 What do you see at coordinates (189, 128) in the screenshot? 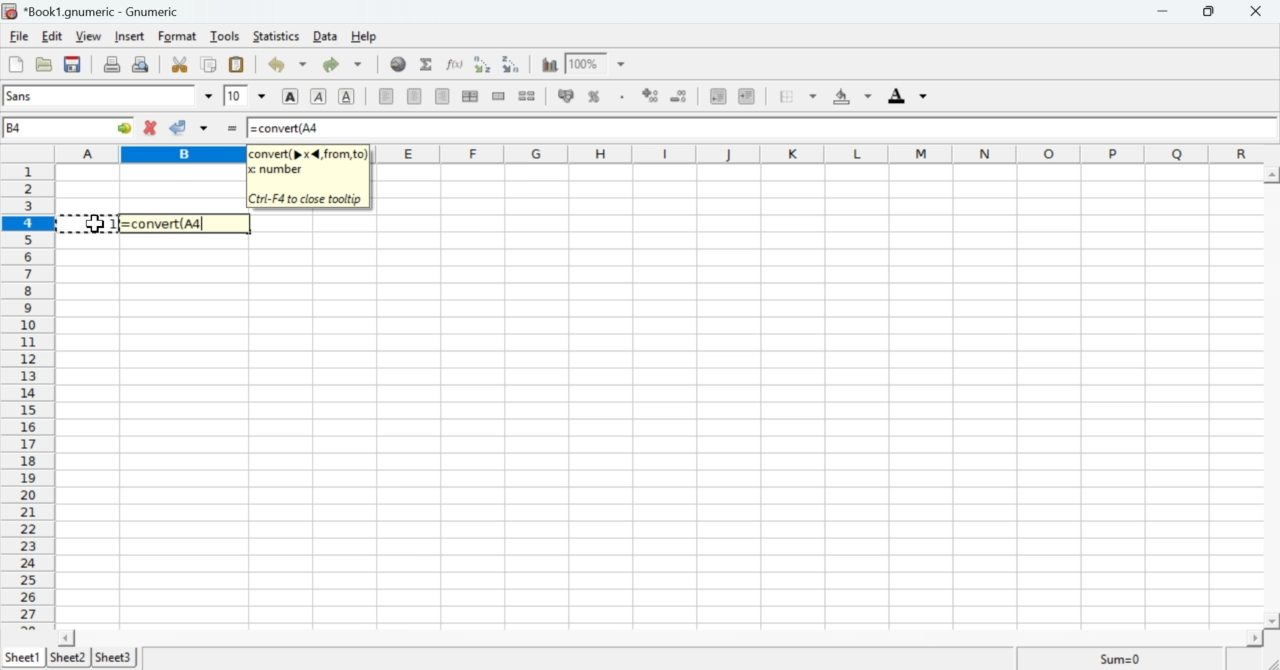
I see `Accept change` at bounding box center [189, 128].